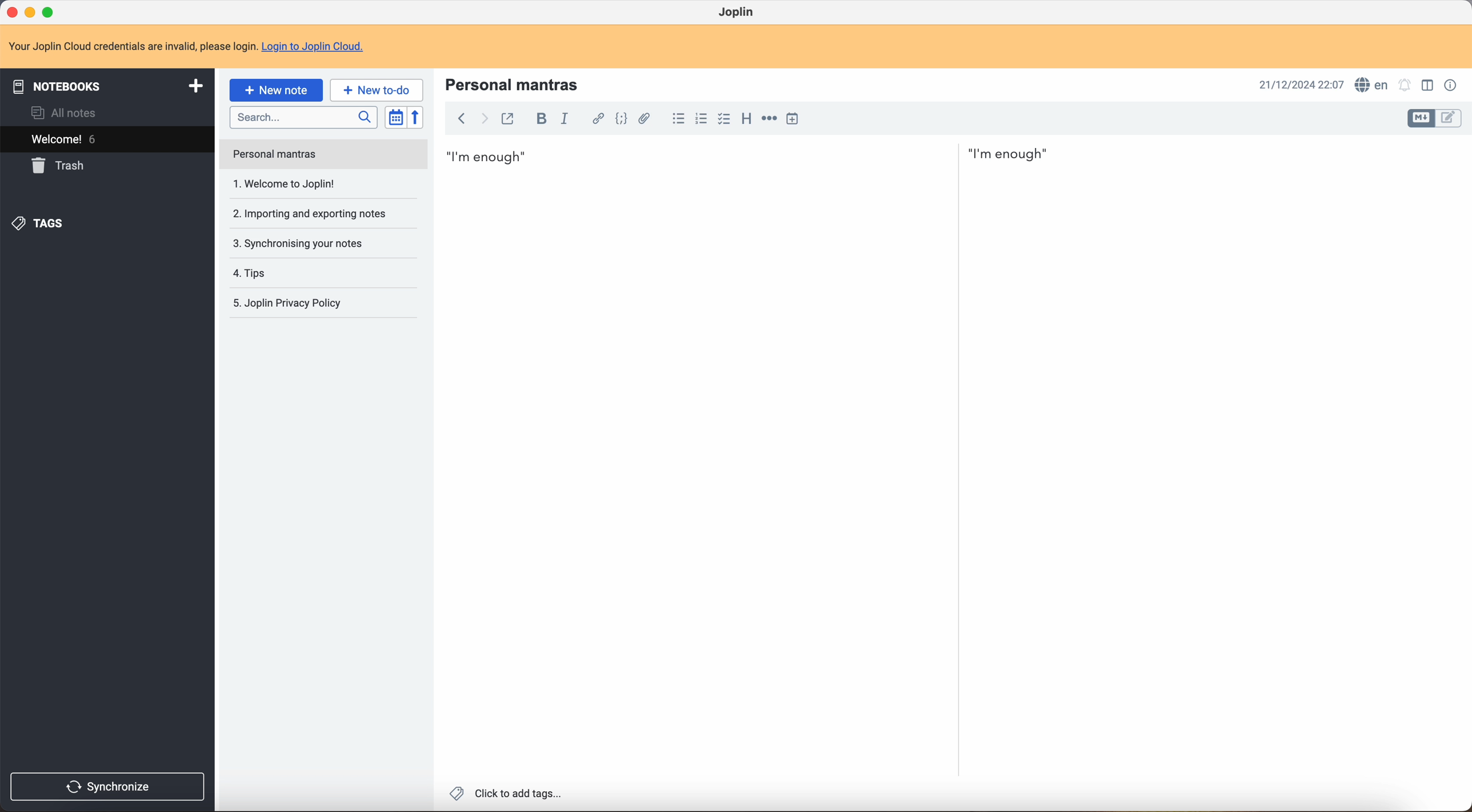  I want to click on insert time, so click(792, 118).